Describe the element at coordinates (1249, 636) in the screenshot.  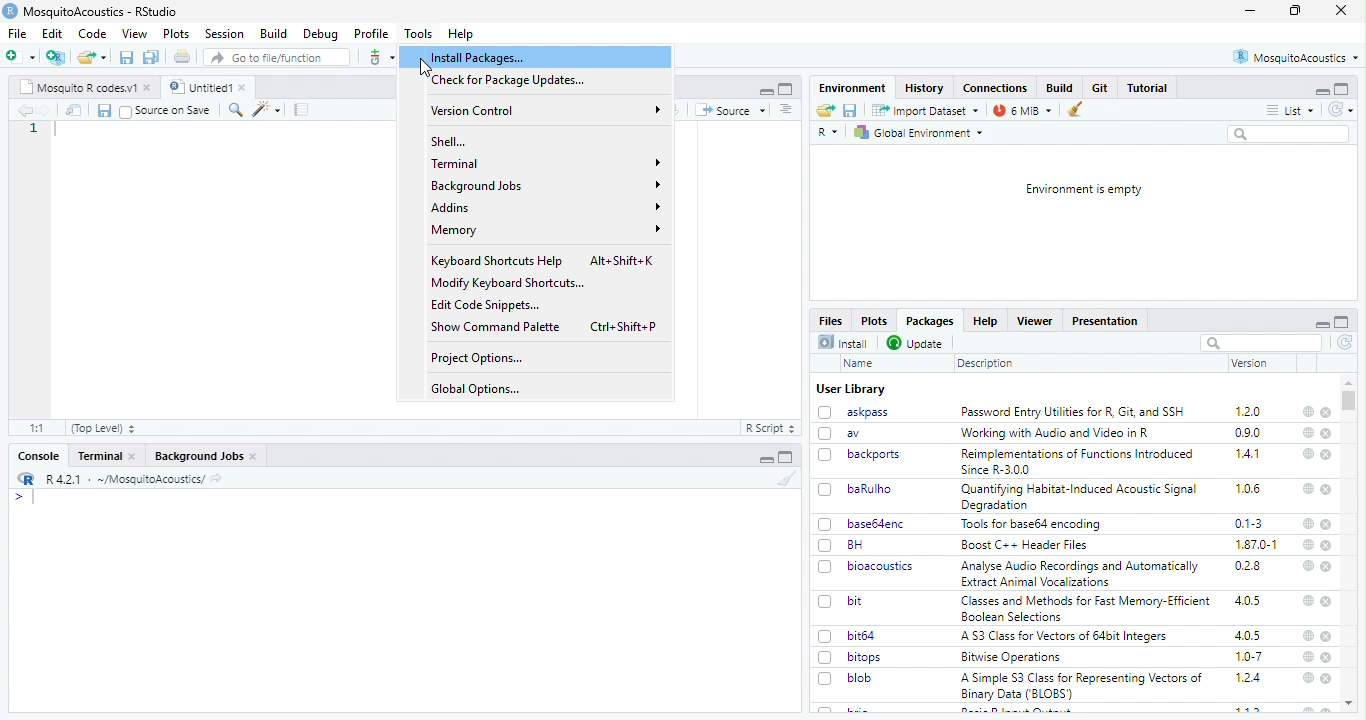
I see `405` at that location.